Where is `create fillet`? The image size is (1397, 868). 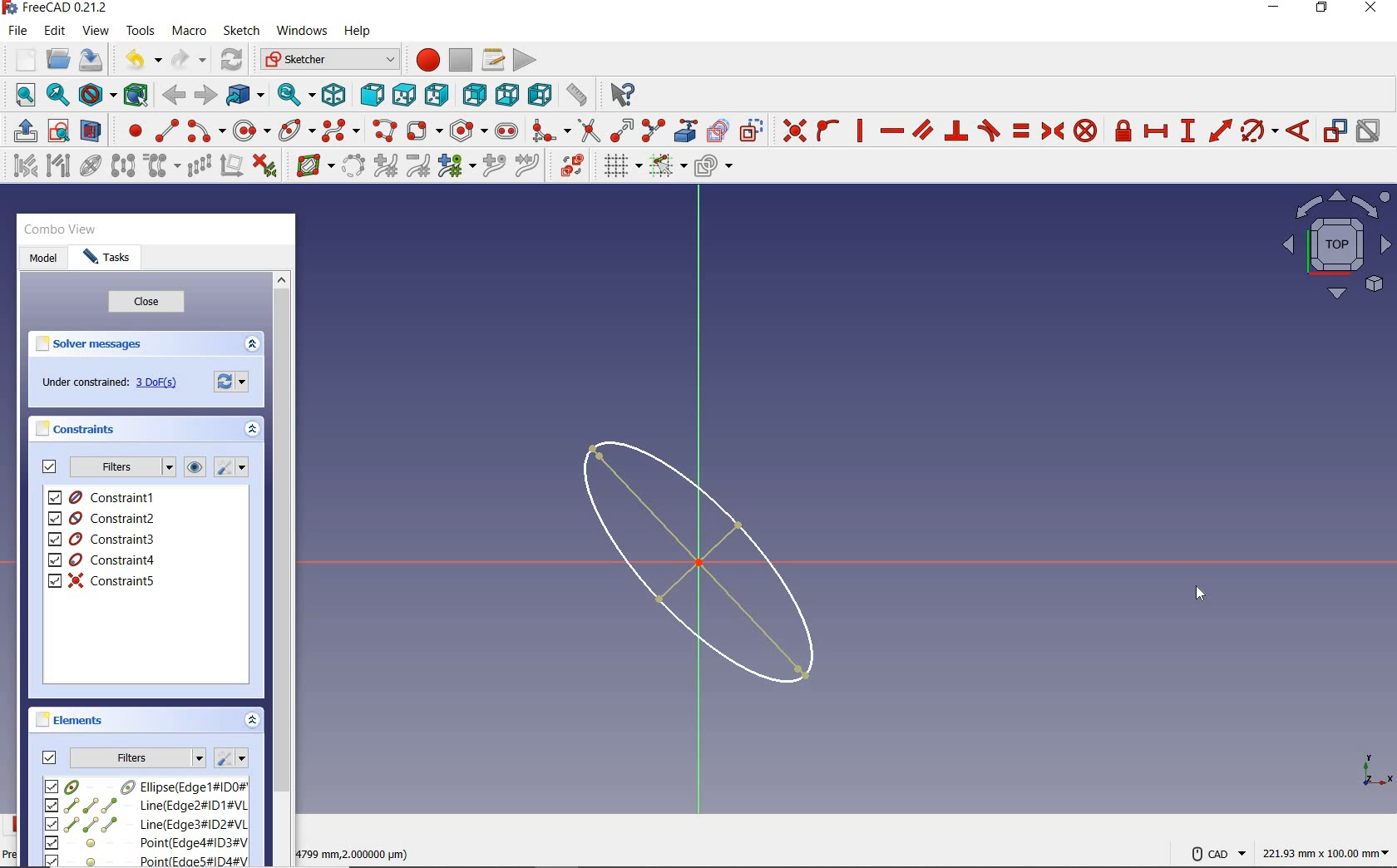
create fillet is located at coordinates (550, 128).